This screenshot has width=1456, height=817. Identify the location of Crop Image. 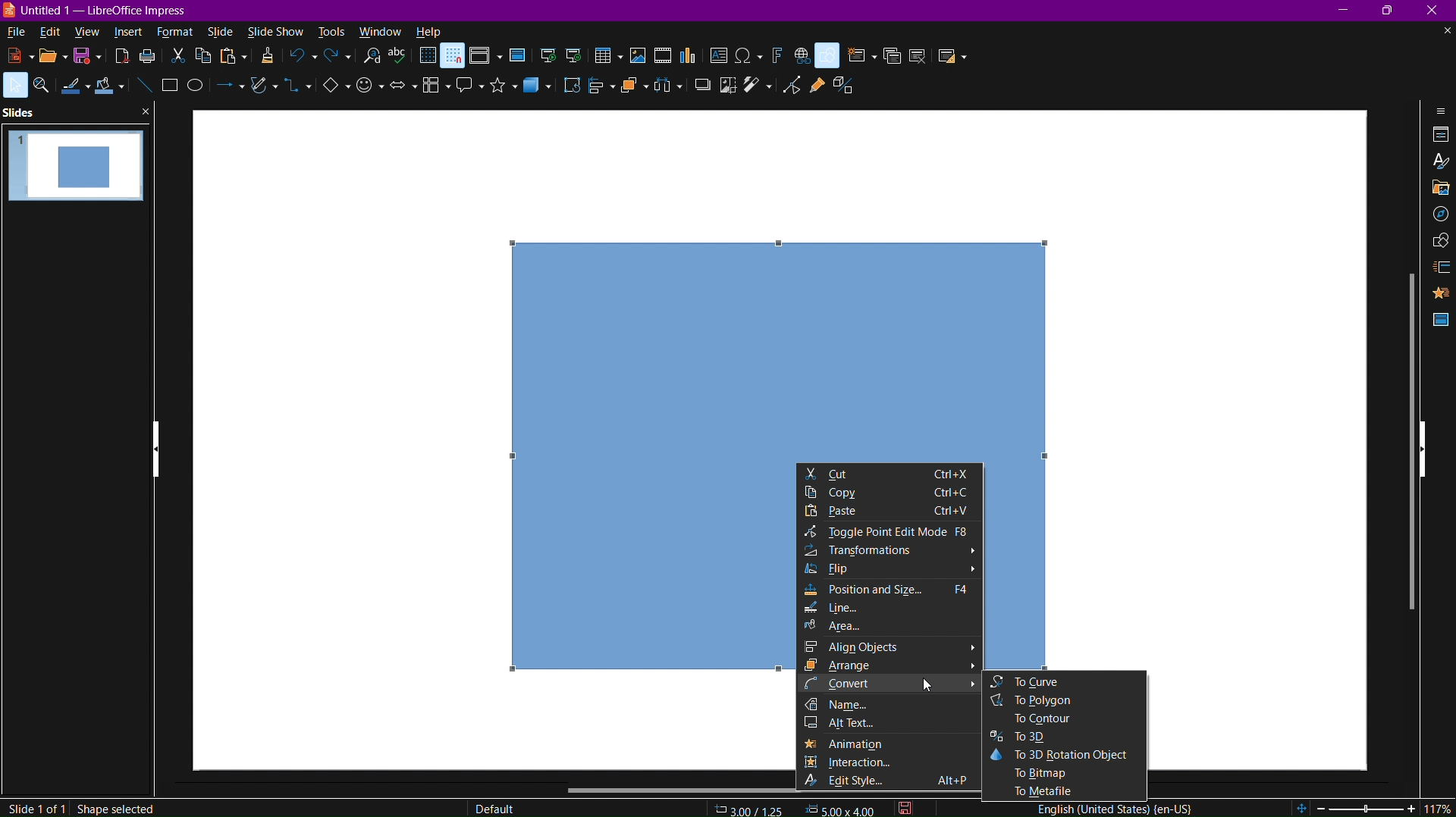
(725, 89).